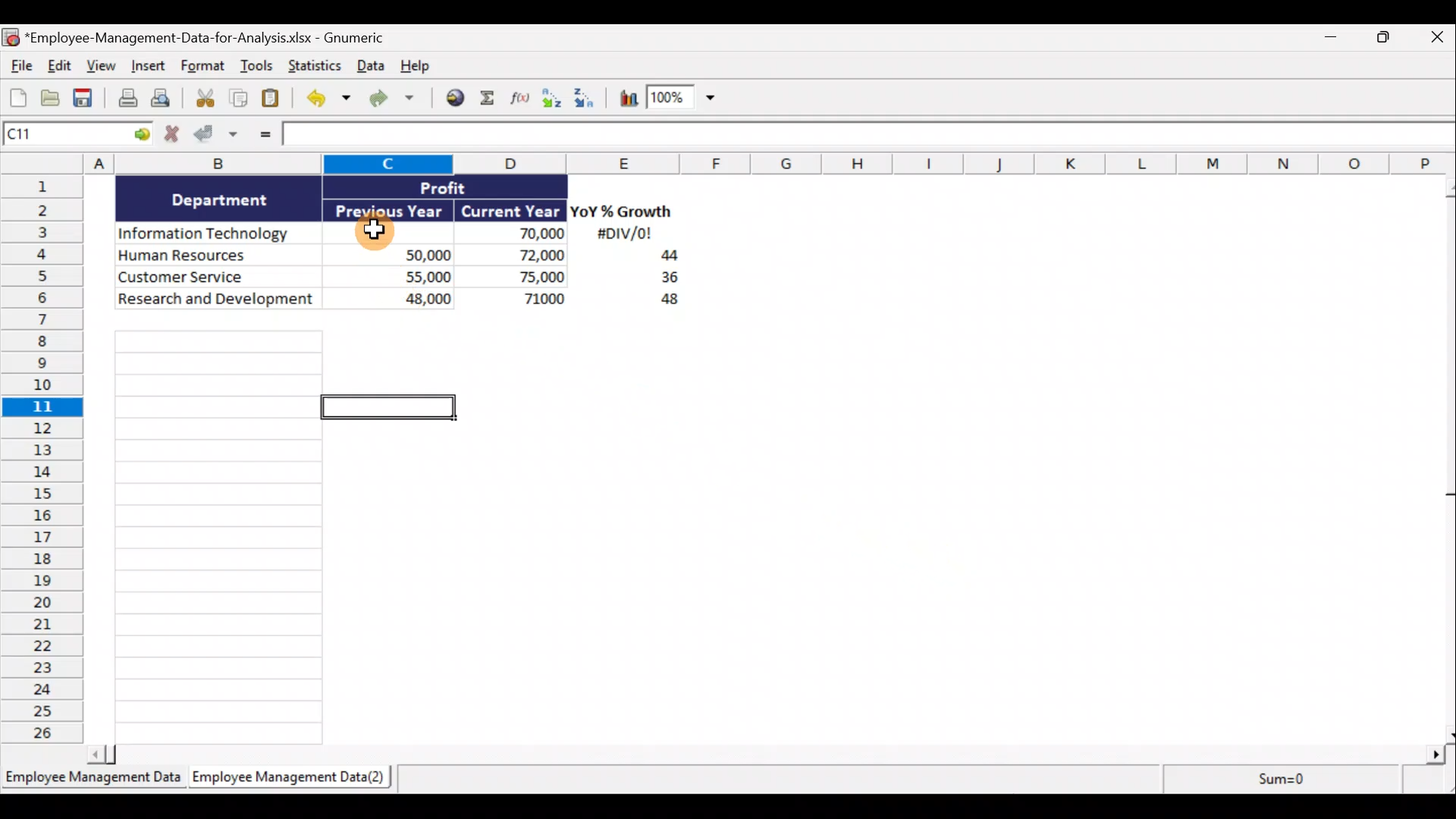 Image resolution: width=1456 pixels, height=819 pixels. What do you see at coordinates (51, 99) in the screenshot?
I see `Open a file` at bounding box center [51, 99].